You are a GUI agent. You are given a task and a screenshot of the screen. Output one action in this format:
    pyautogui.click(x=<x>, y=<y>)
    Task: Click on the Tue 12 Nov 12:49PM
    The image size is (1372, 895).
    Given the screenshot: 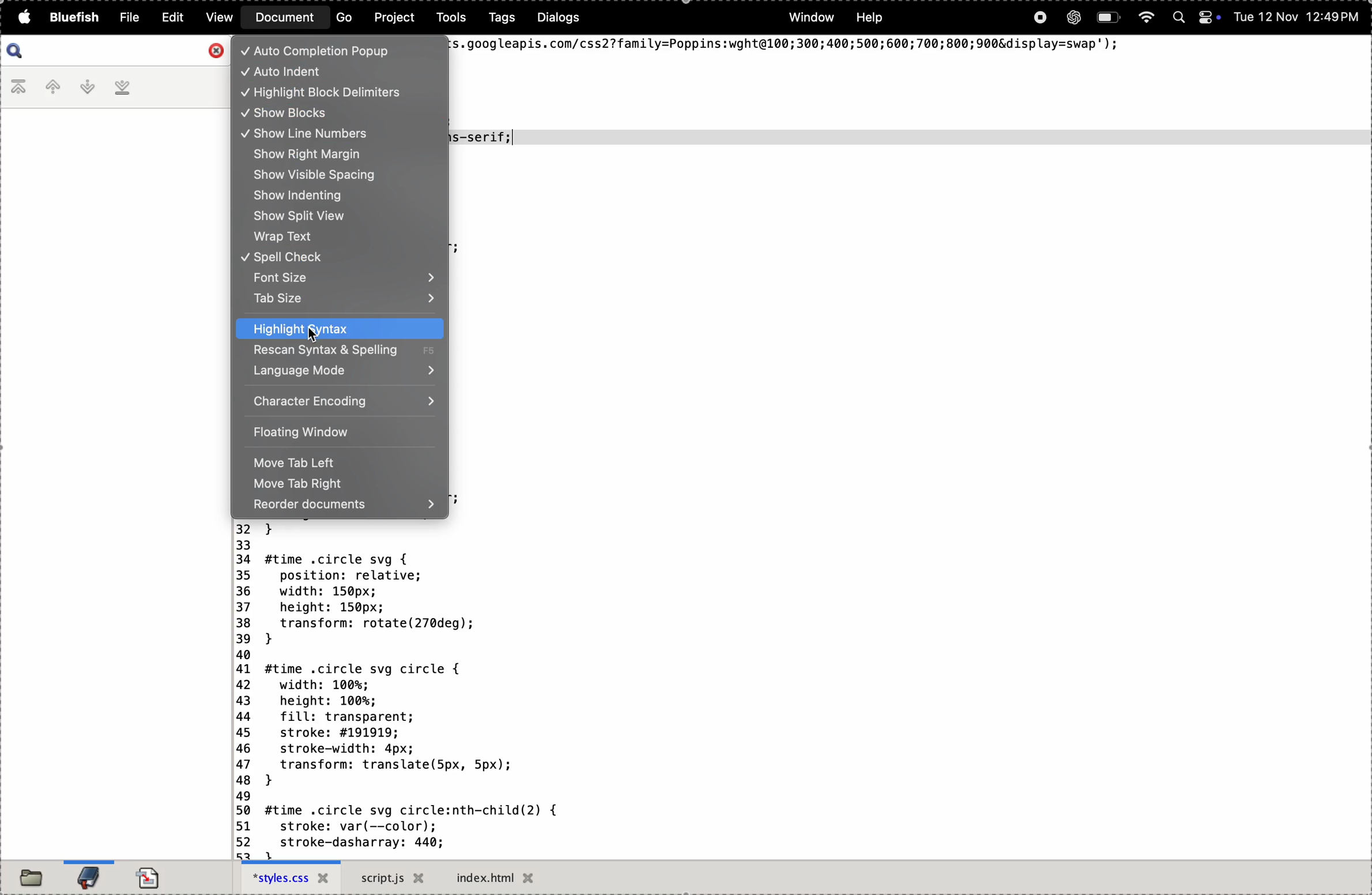 What is the action you would take?
    pyautogui.click(x=1295, y=18)
    